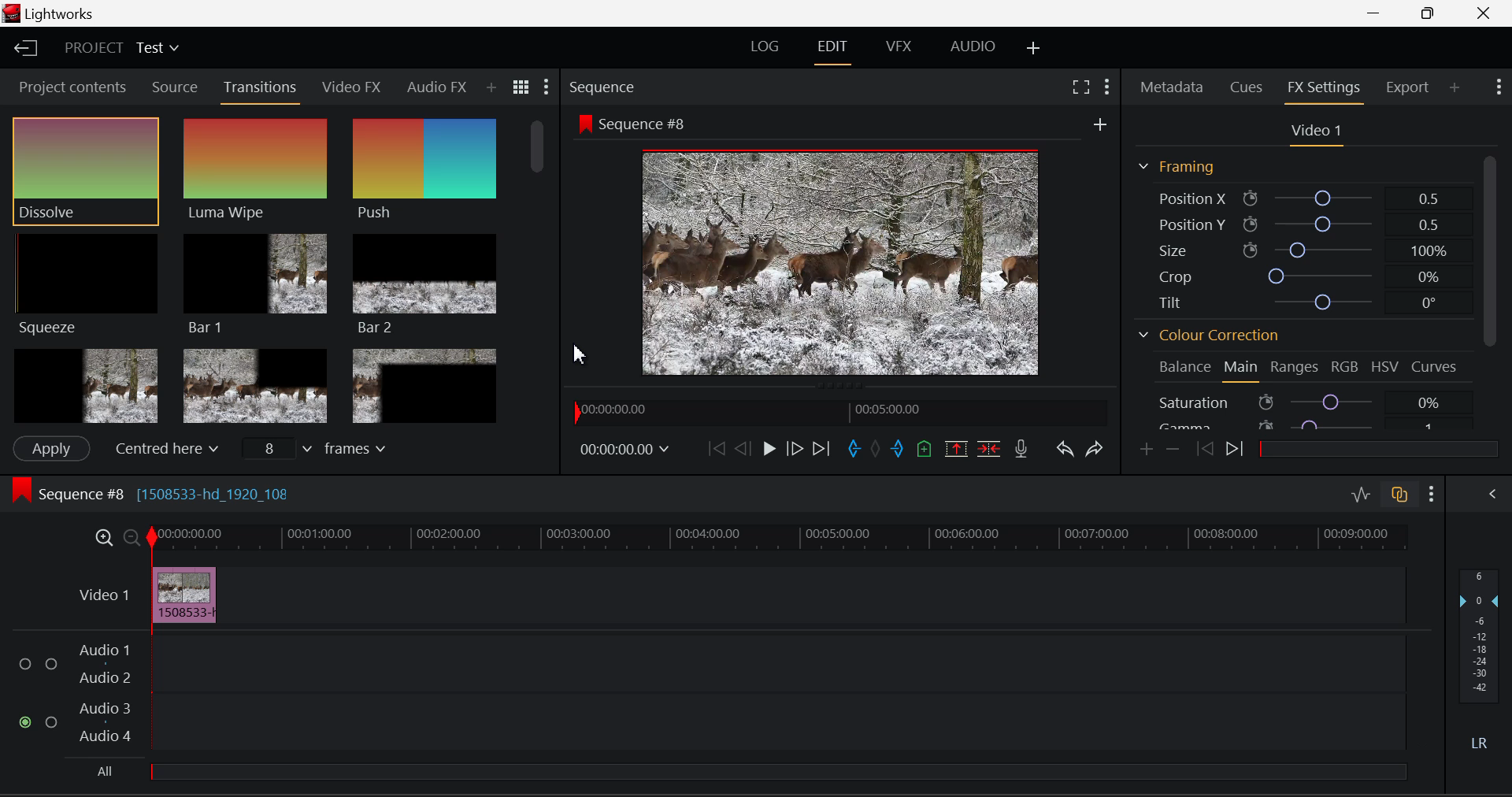 This screenshot has height=797, width=1512. What do you see at coordinates (1206, 334) in the screenshot?
I see `Colour Correction` at bounding box center [1206, 334].